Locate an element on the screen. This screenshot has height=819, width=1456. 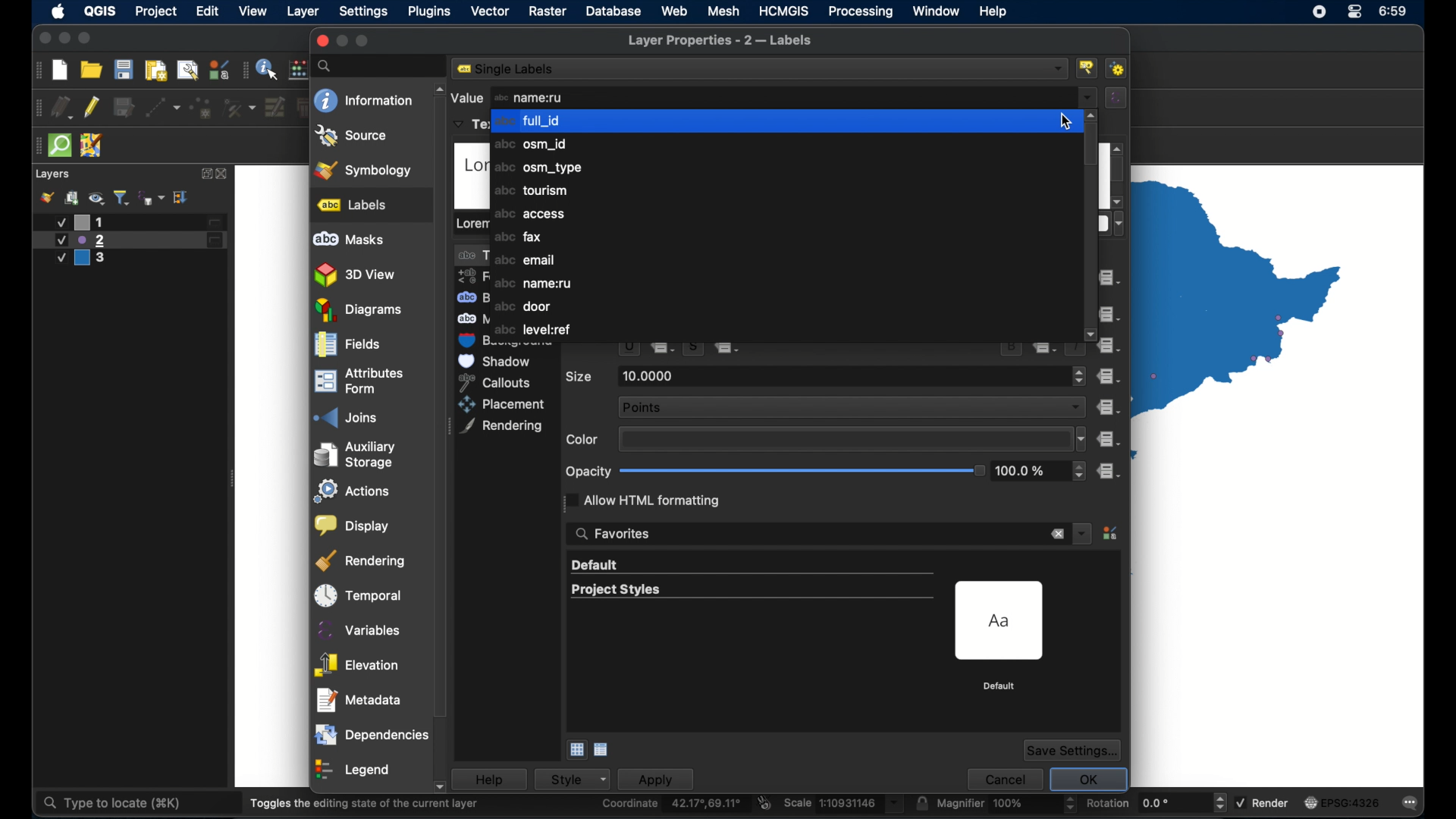
style manager is located at coordinates (219, 69).